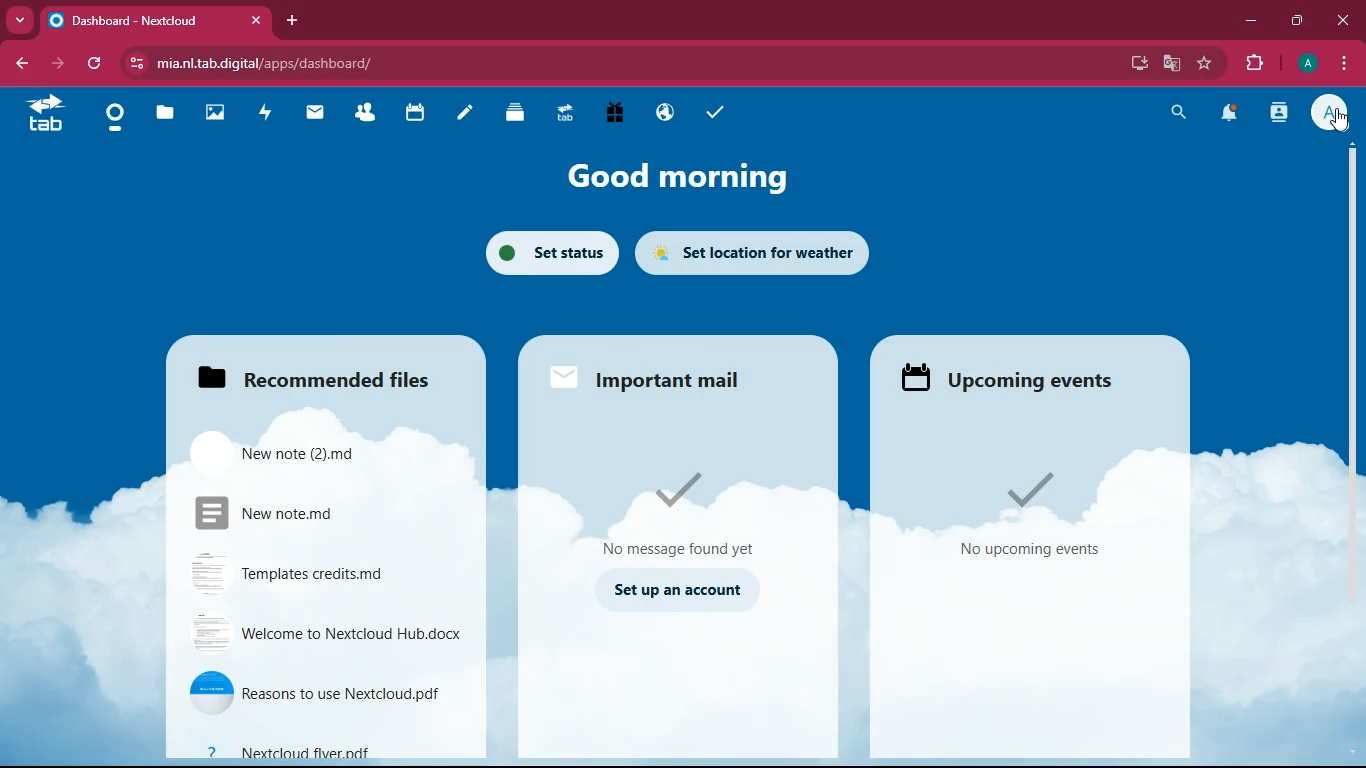 The height and width of the screenshot is (768, 1366). Describe the element at coordinates (1255, 64) in the screenshot. I see `extensions` at that location.